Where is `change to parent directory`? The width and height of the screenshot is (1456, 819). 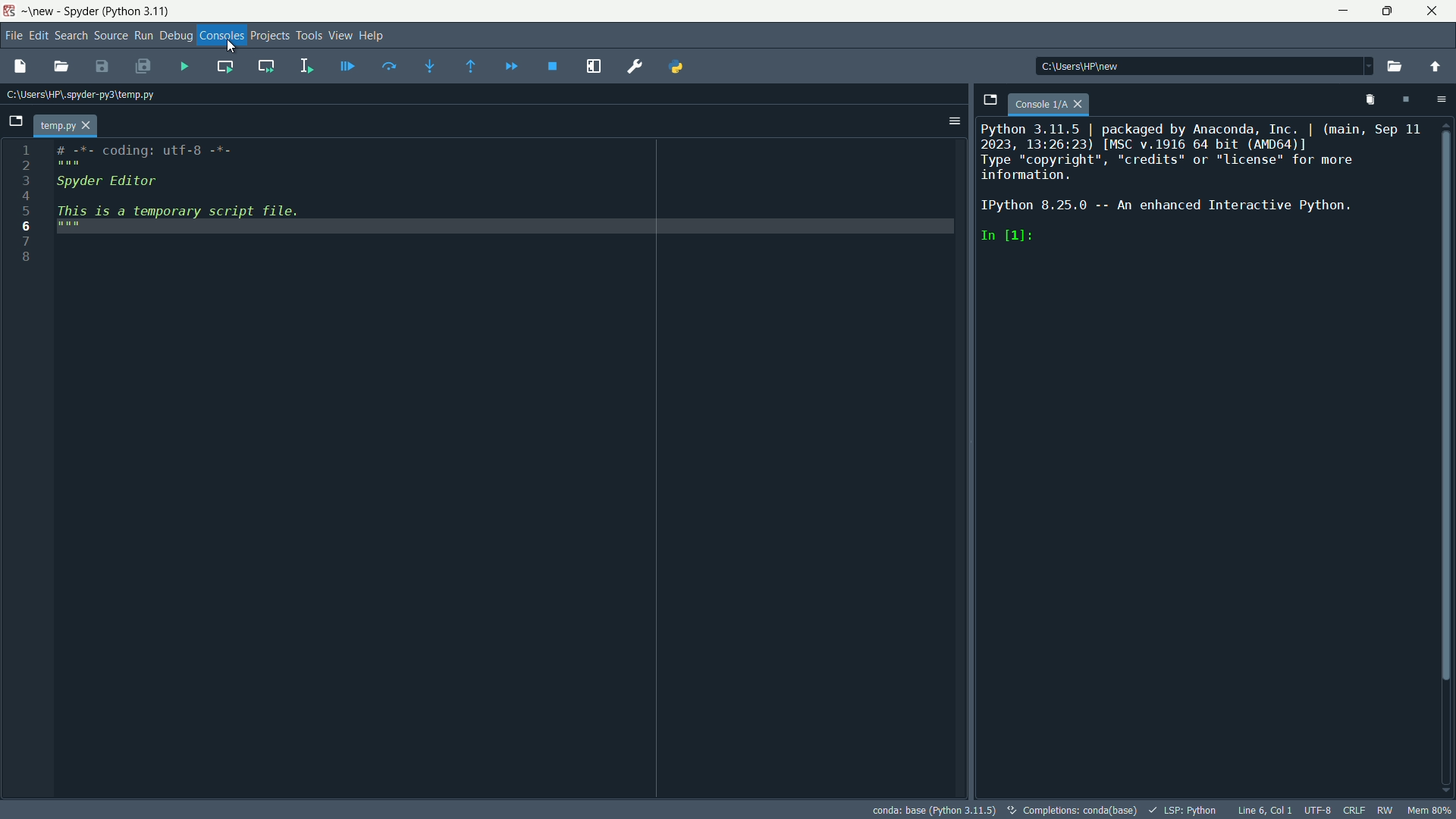 change to parent directory is located at coordinates (1437, 69).